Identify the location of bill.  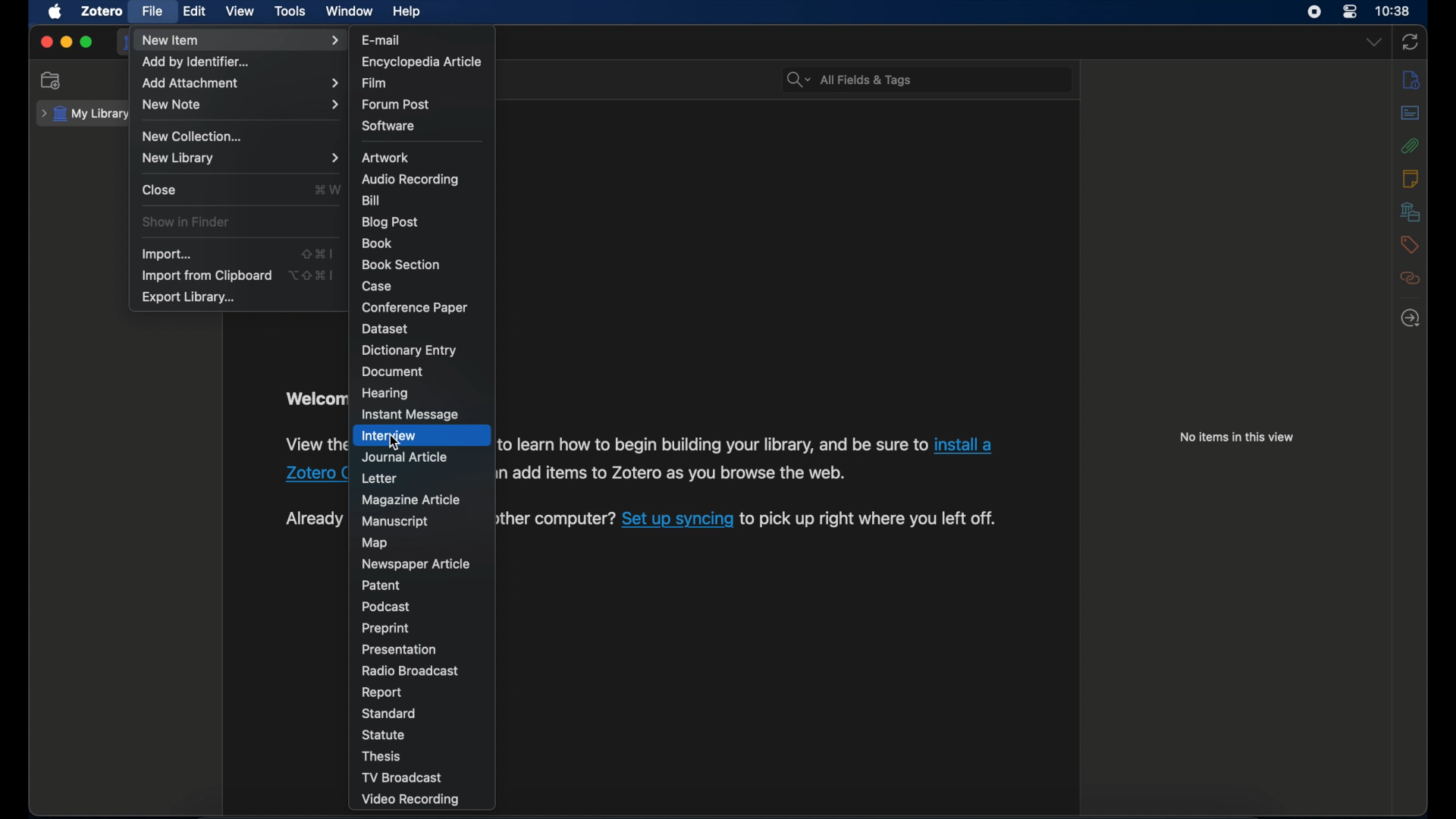
(373, 200).